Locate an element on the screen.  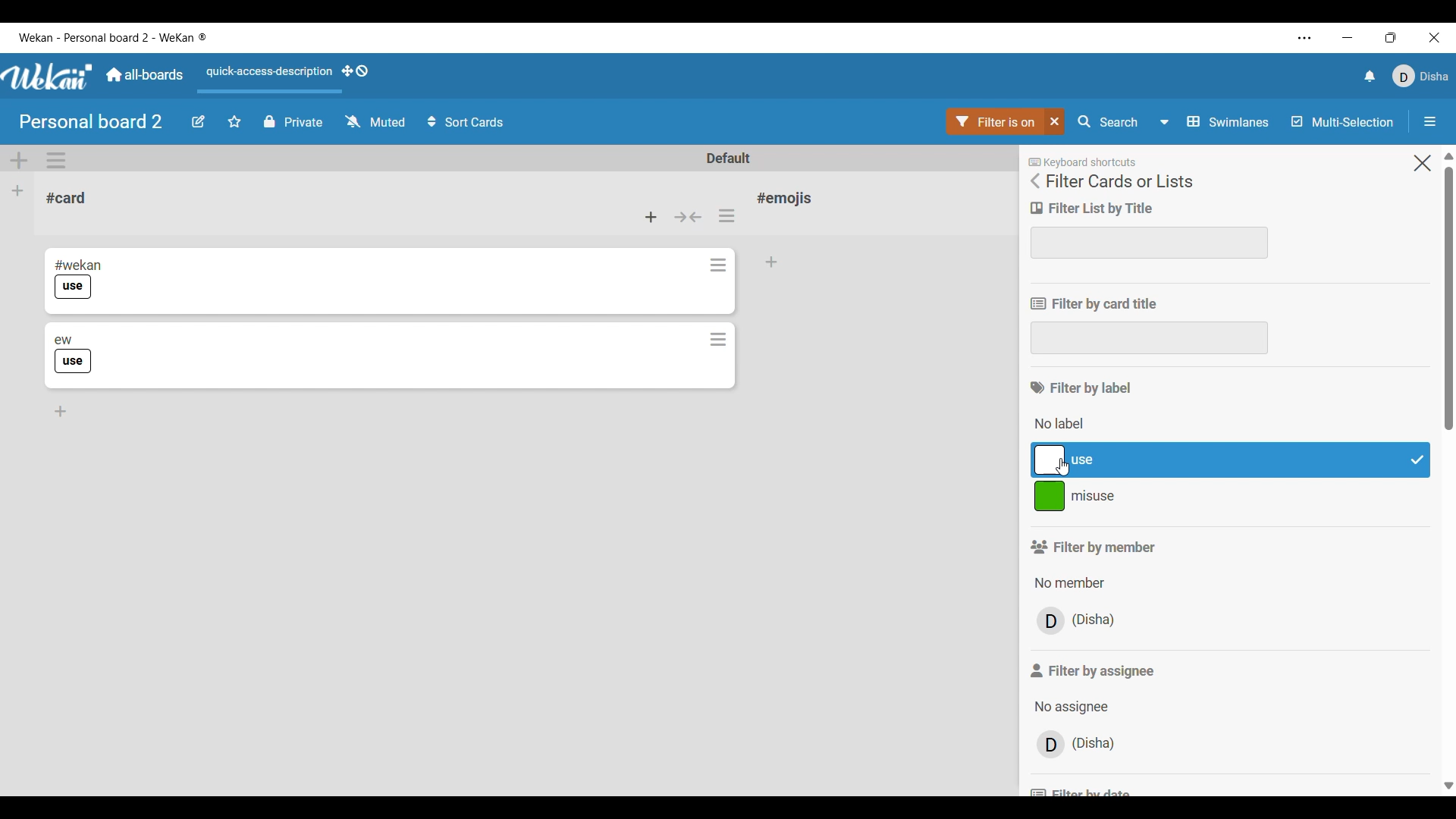
Options under the above mentioned section is located at coordinates (1065, 425).